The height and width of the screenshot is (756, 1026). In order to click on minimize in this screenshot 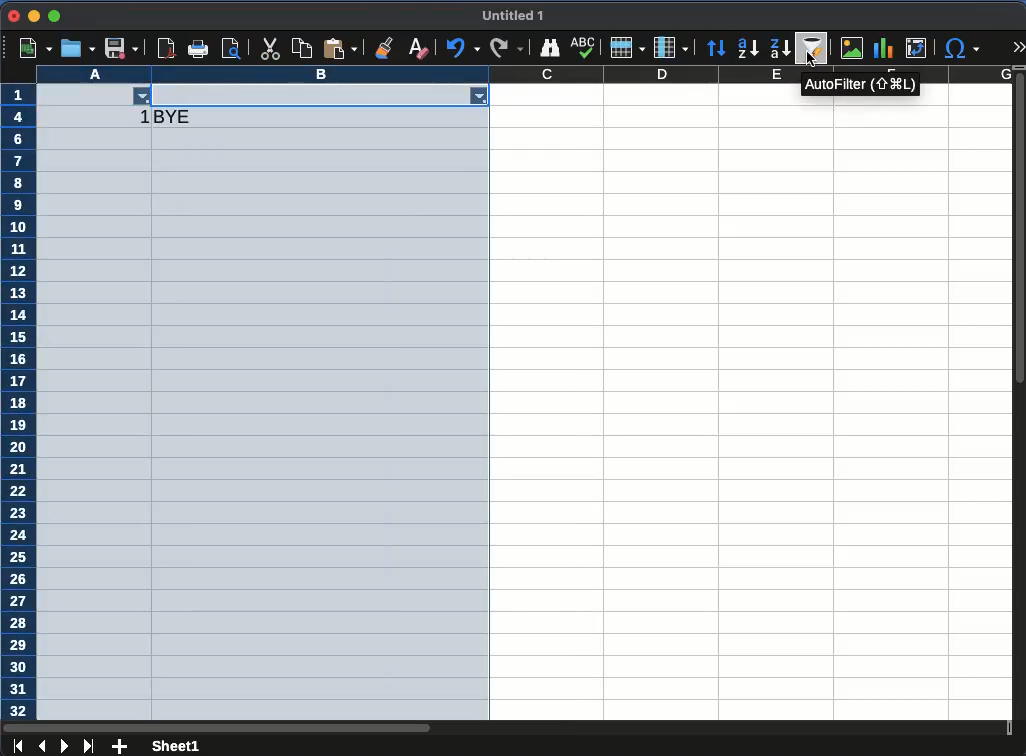, I will do `click(33, 15)`.